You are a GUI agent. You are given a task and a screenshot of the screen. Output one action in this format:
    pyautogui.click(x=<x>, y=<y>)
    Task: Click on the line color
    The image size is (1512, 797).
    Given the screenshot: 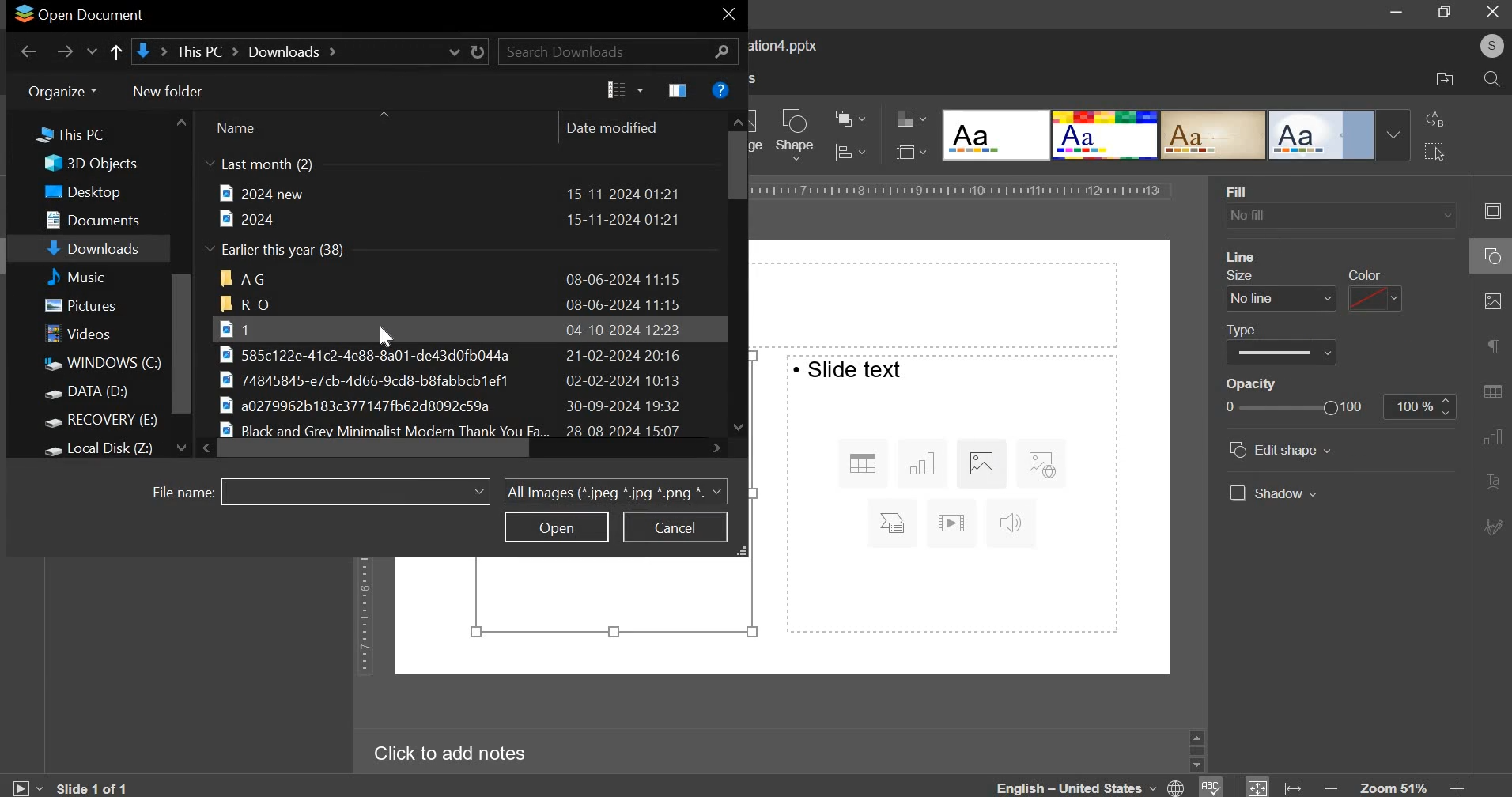 What is the action you would take?
    pyautogui.click(x=1373, y=298)
    